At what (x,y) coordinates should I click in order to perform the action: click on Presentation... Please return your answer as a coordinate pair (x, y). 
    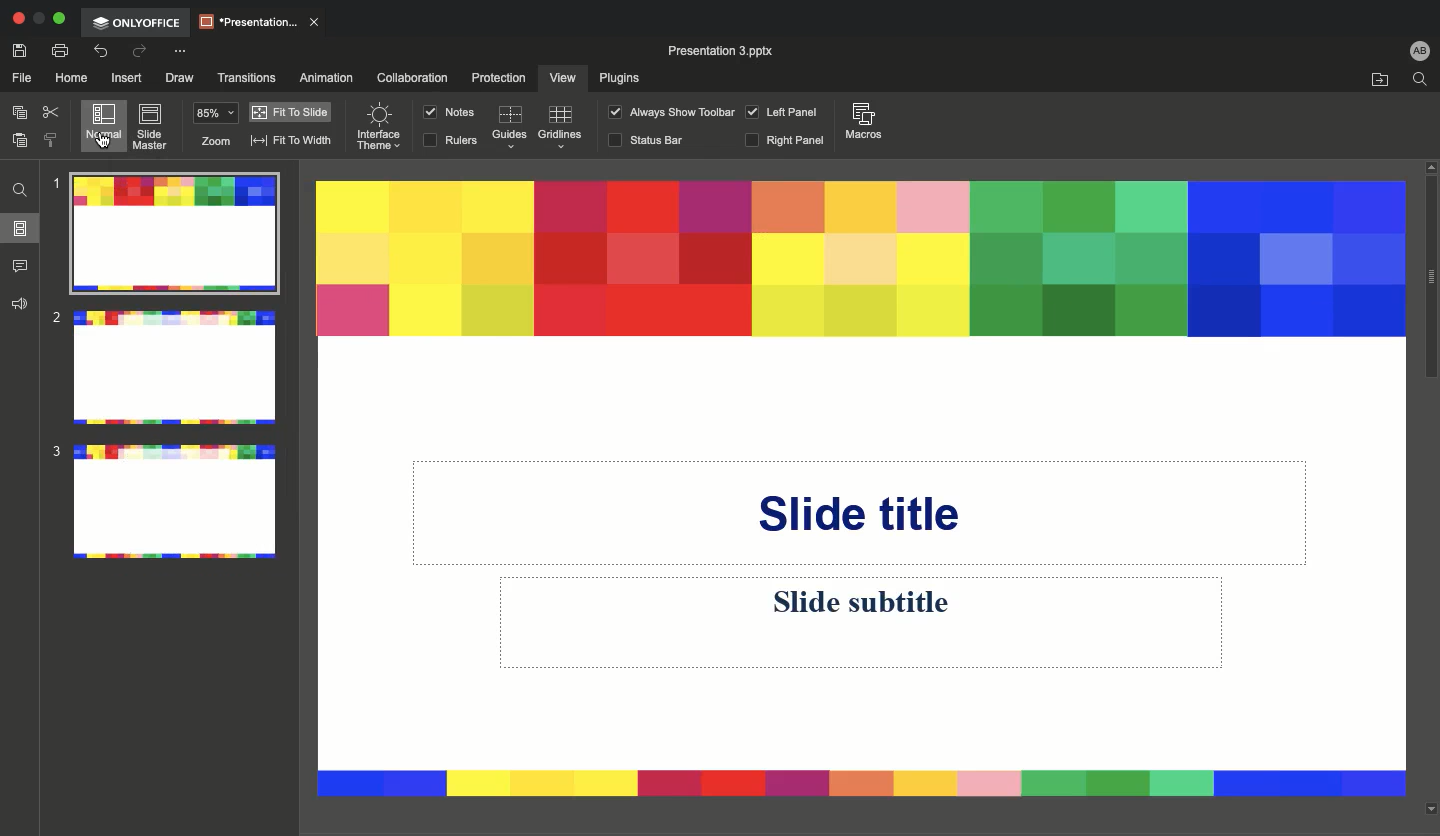
    Looking at the image, I should click on (259, 20).